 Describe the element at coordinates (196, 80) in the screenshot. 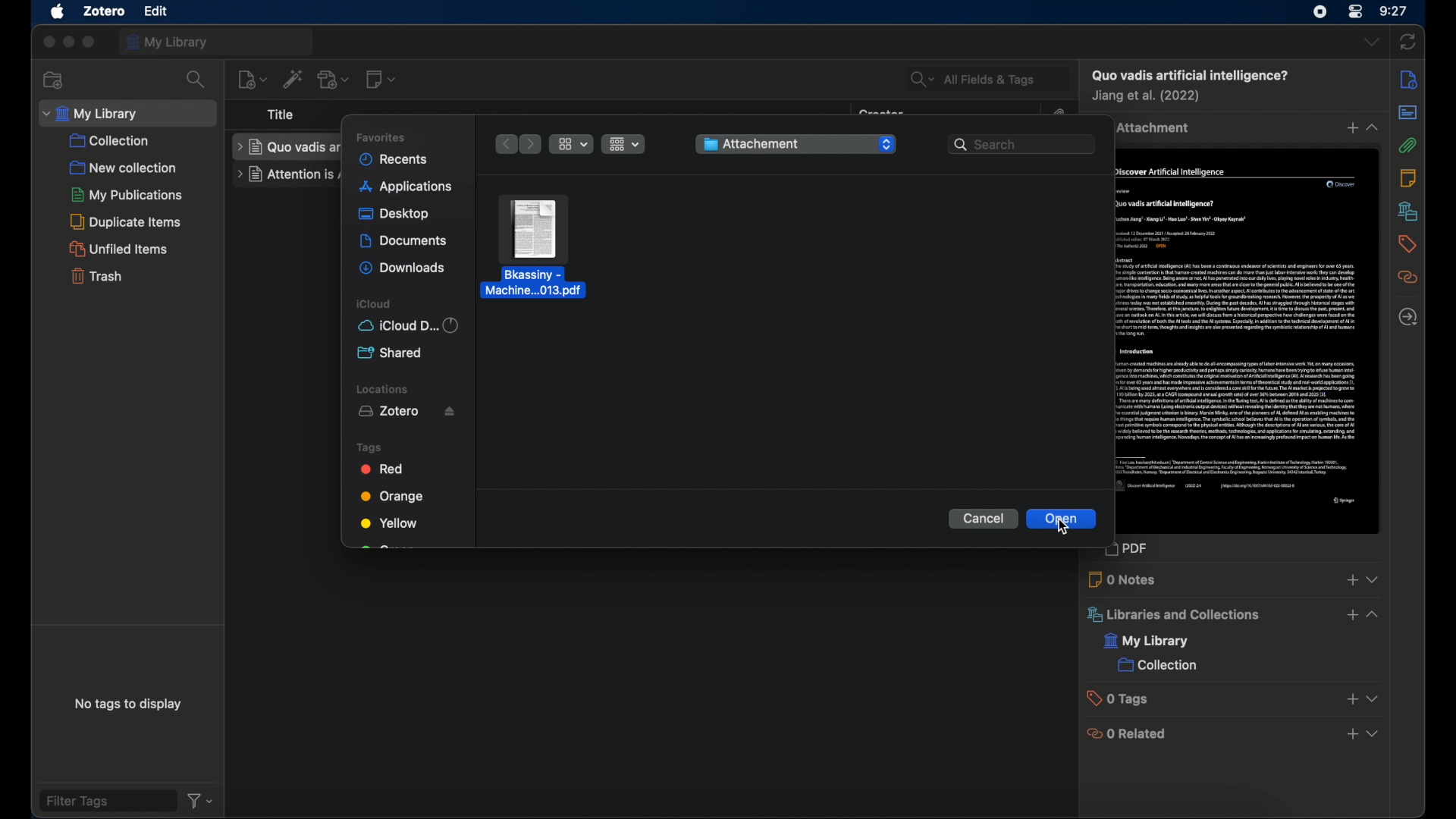

I see `search` at that location.